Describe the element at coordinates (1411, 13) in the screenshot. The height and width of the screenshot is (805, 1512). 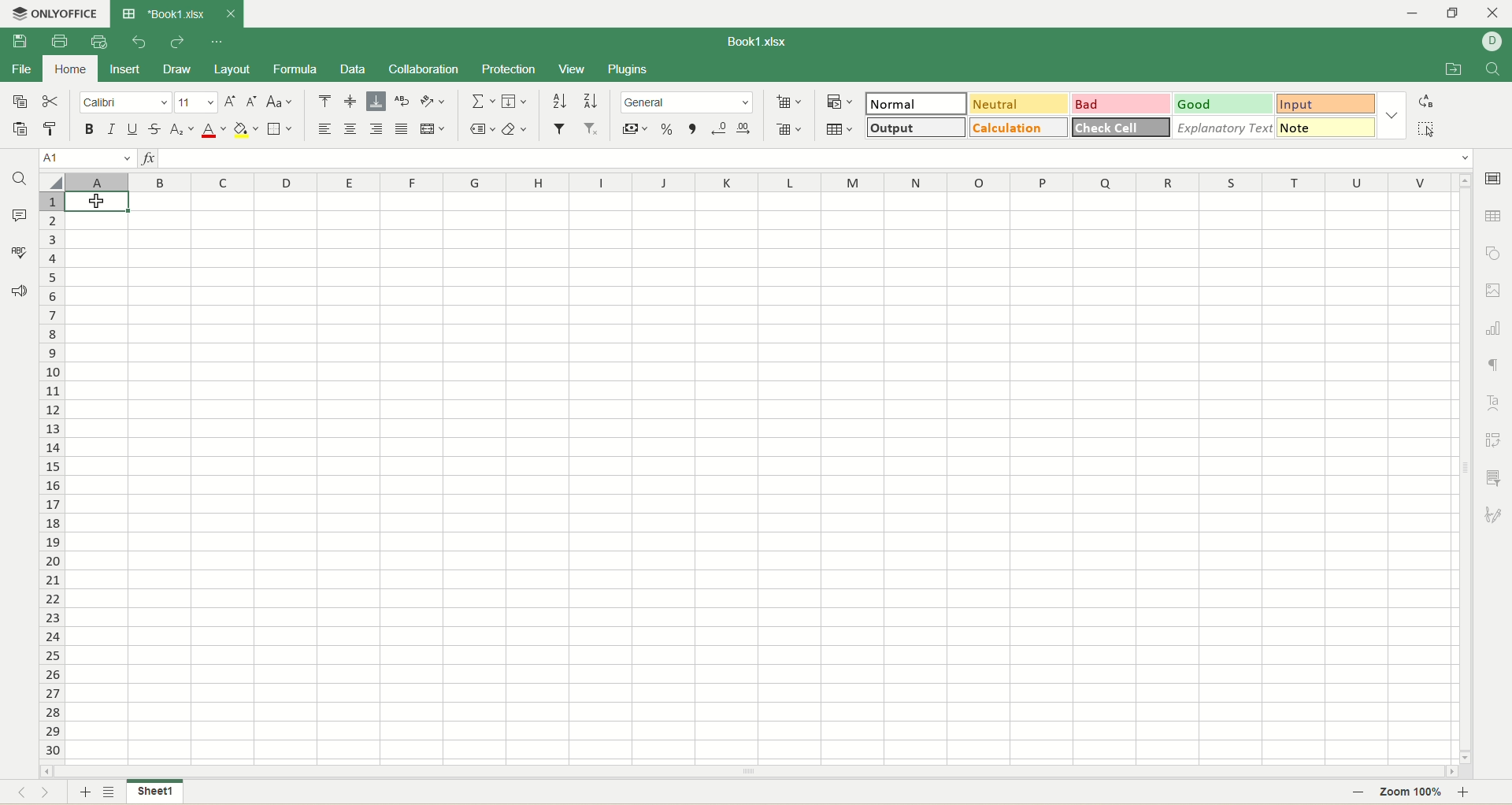
I see `minimize` at that location.